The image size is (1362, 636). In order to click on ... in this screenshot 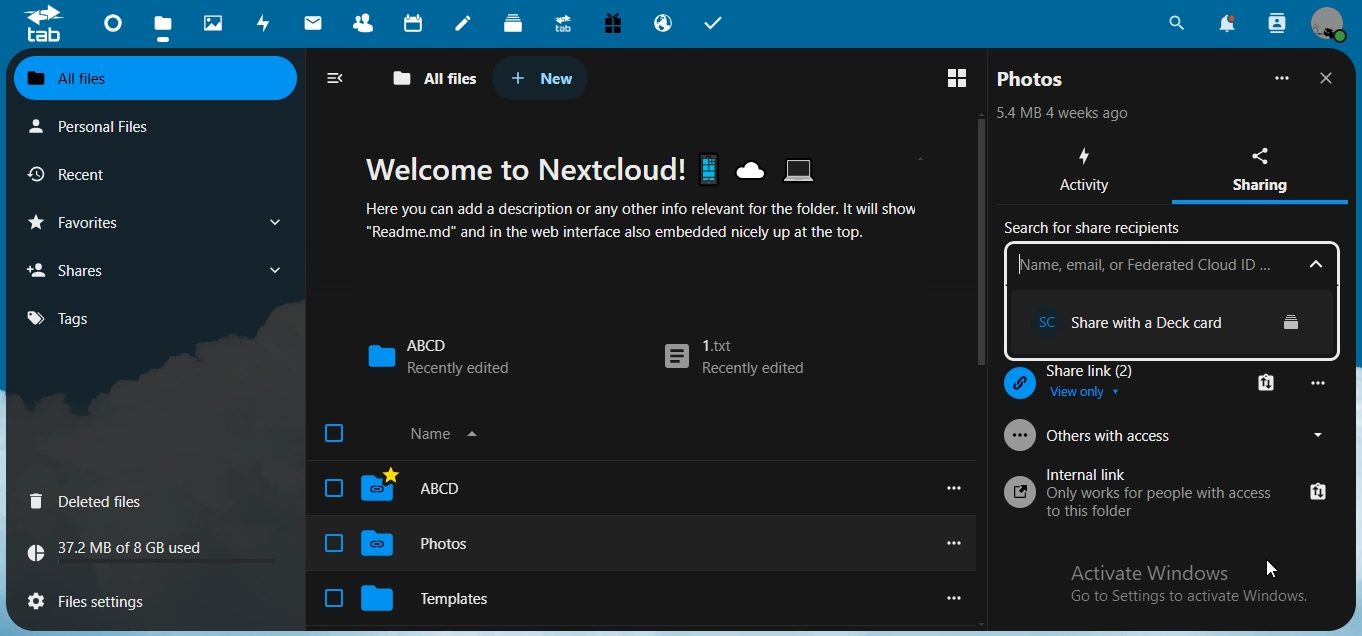, I will do `click(1321, 382)`.